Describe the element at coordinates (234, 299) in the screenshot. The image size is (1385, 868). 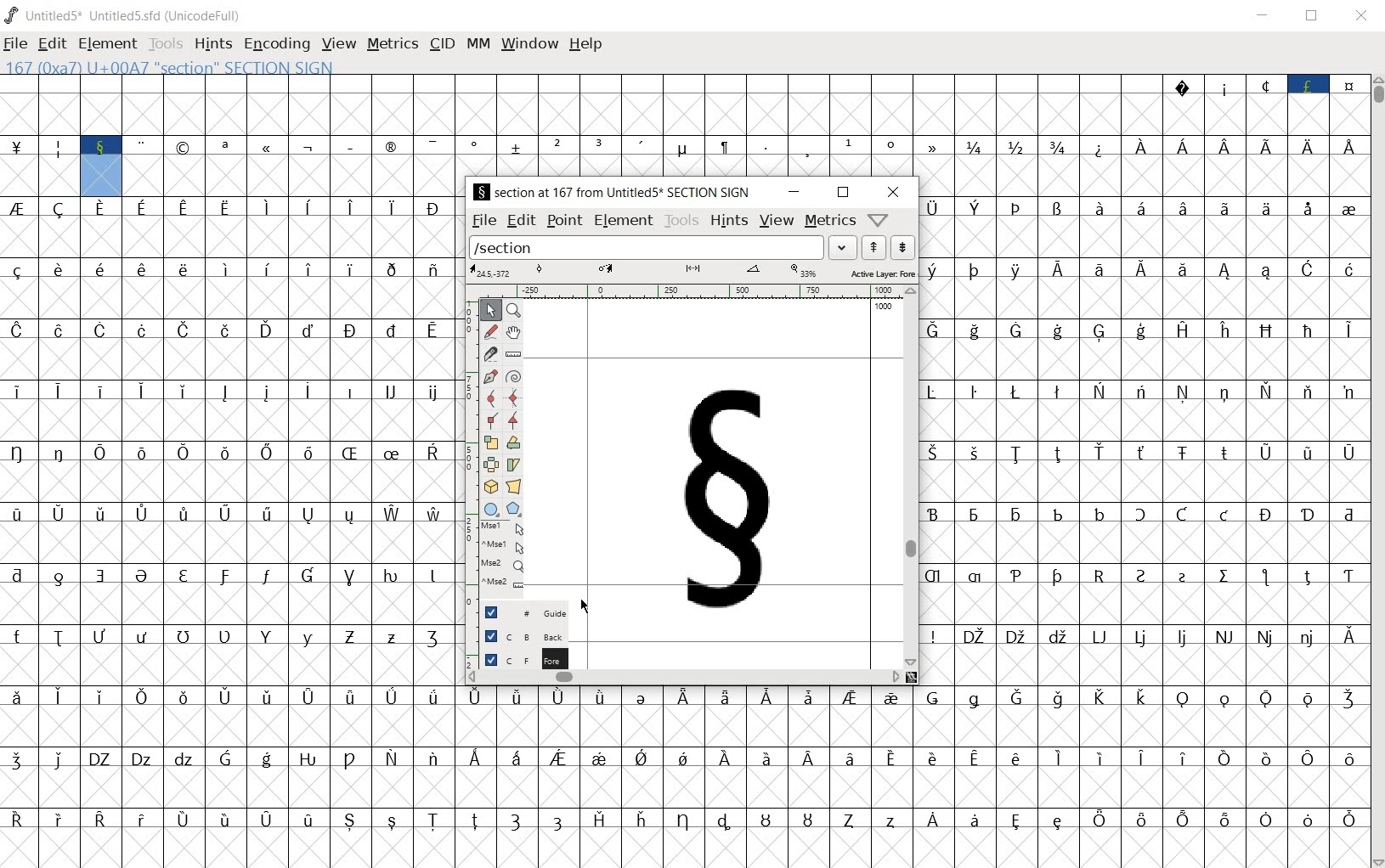
I see `empty cells` at that location.